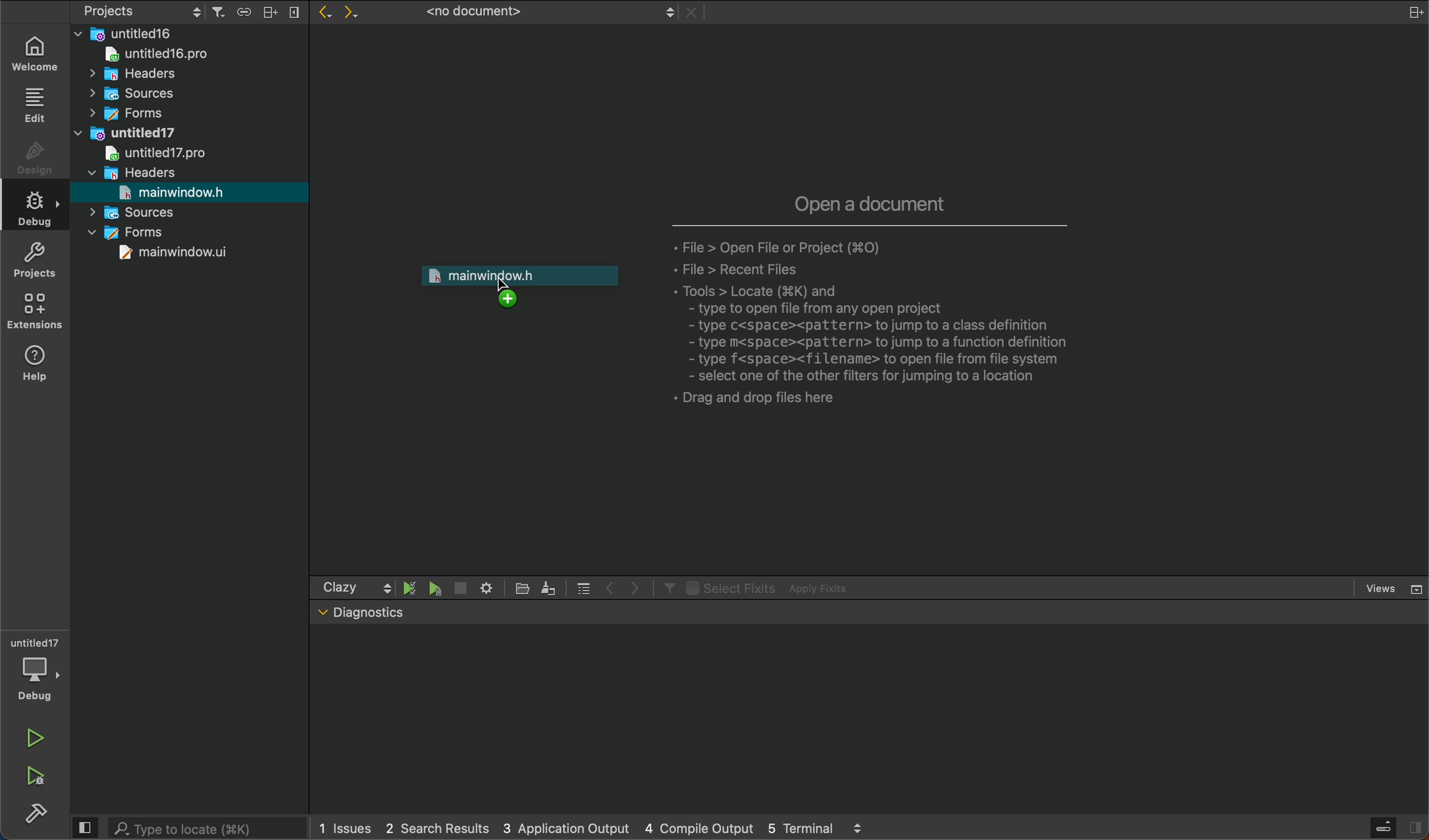 This screenshot has height=840, width=1429. I want to click on filter, so click(218, 12).